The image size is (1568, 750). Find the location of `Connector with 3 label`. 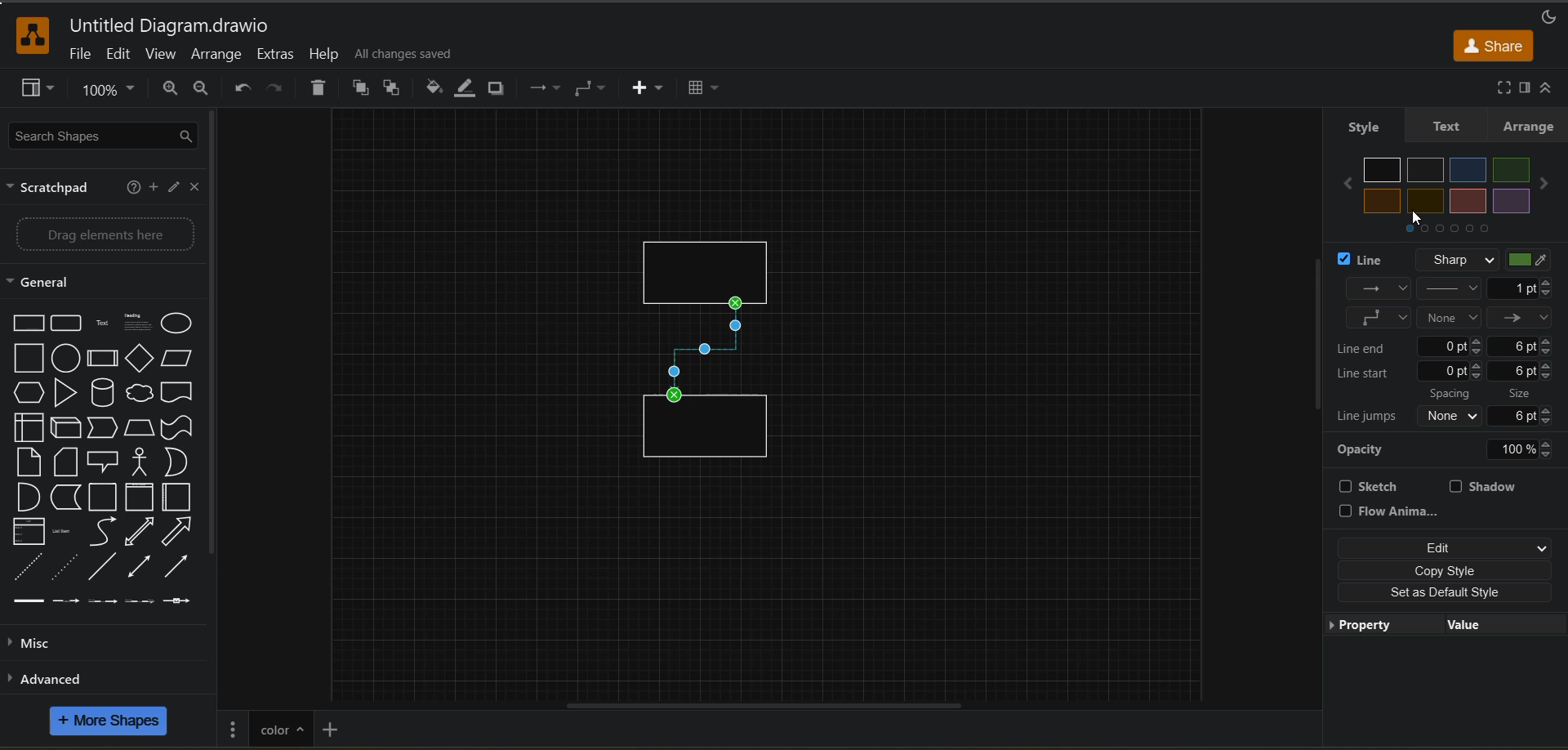

Connector with 3 label is located at coordinates (139, 604).